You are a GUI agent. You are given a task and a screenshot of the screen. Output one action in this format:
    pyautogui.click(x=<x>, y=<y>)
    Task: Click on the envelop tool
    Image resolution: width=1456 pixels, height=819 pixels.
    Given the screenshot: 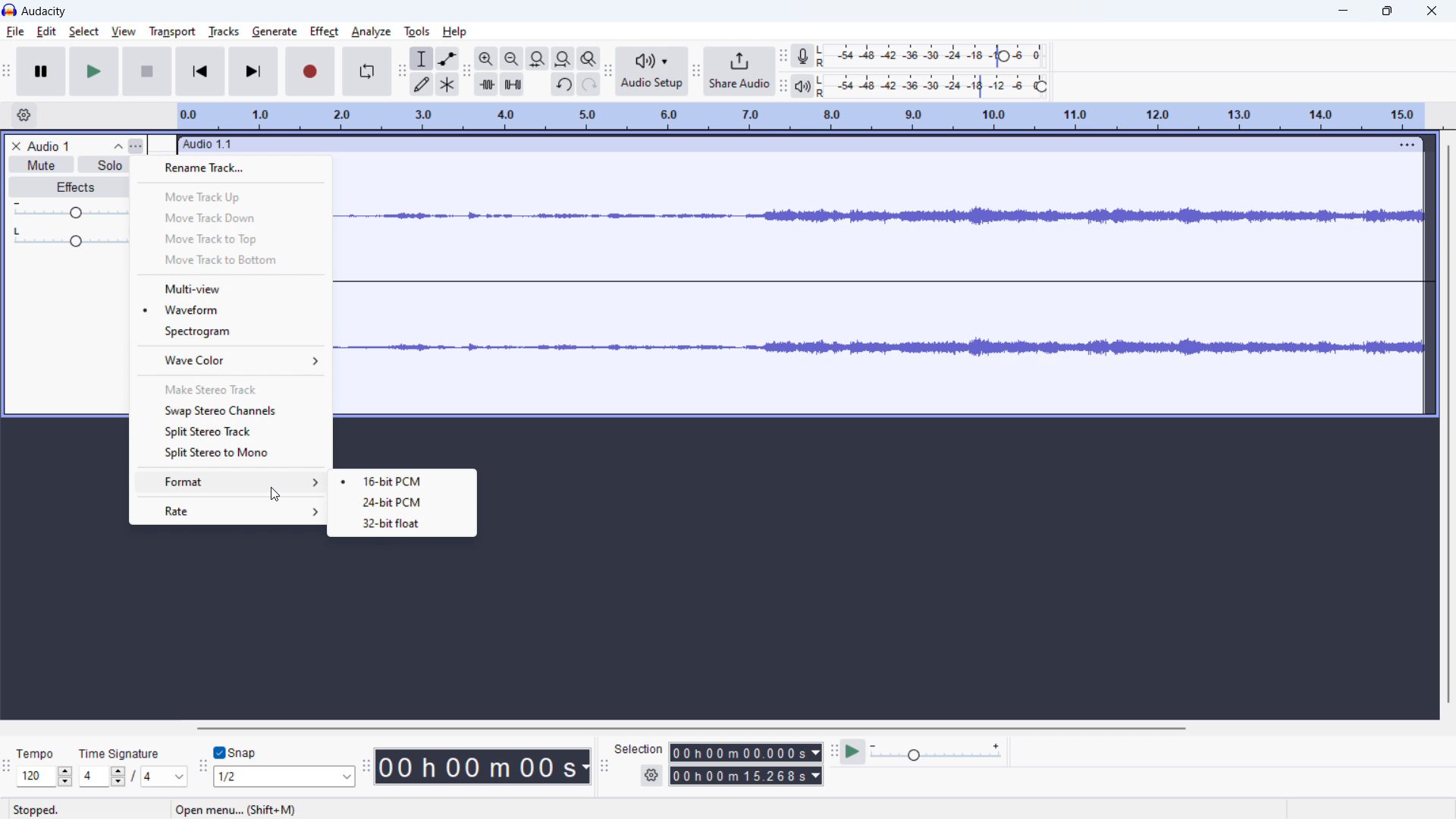 What is the action you would take?
    pyautogui.click(x=447, y=58)
    